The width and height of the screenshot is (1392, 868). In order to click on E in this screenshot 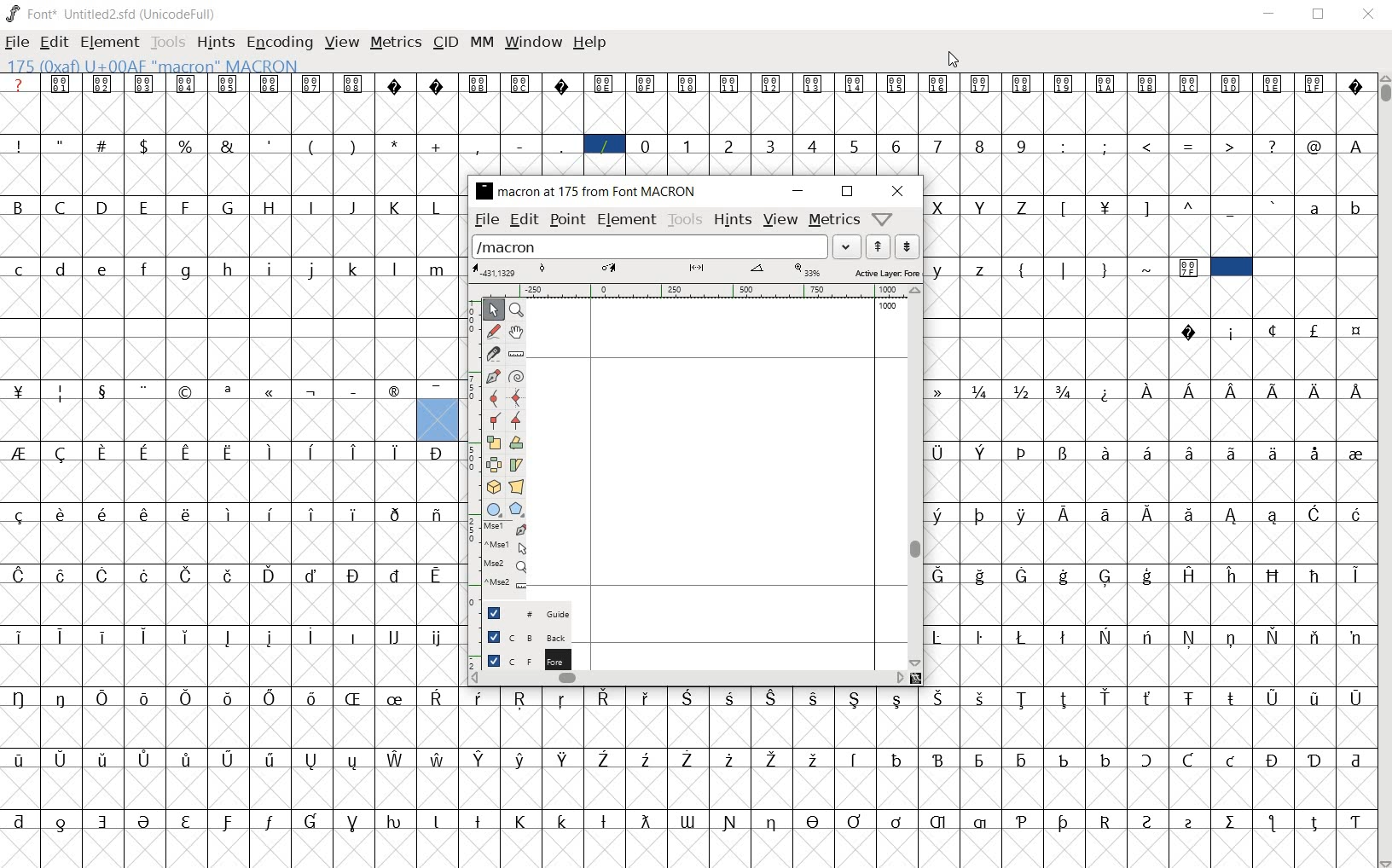, I will do `click(145, 207)`.